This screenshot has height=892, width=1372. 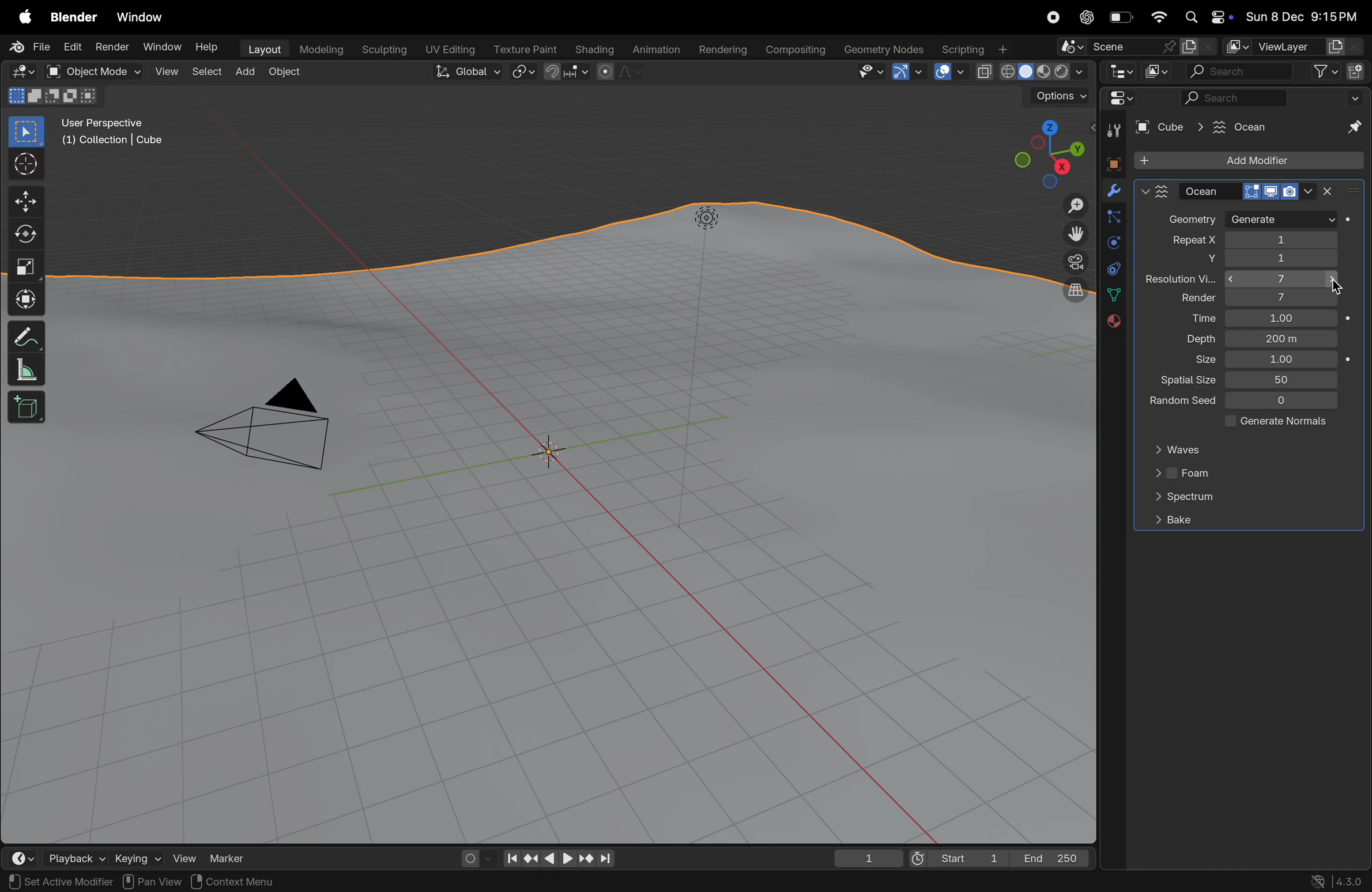 I want to click on 1, so click(x=1283, y=260).